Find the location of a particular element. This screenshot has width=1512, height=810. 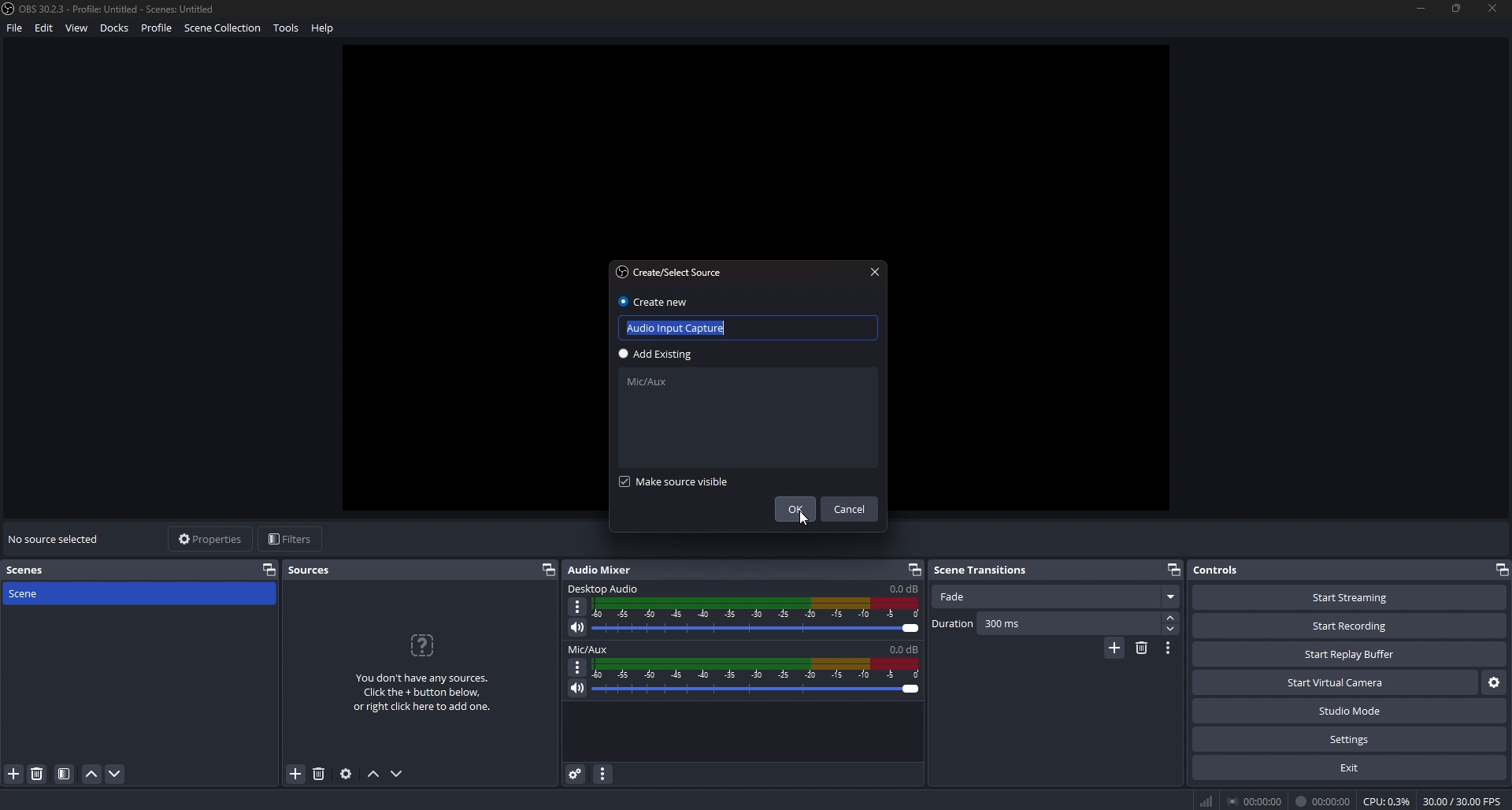

volume adjust is located at coordinates (759, 614).